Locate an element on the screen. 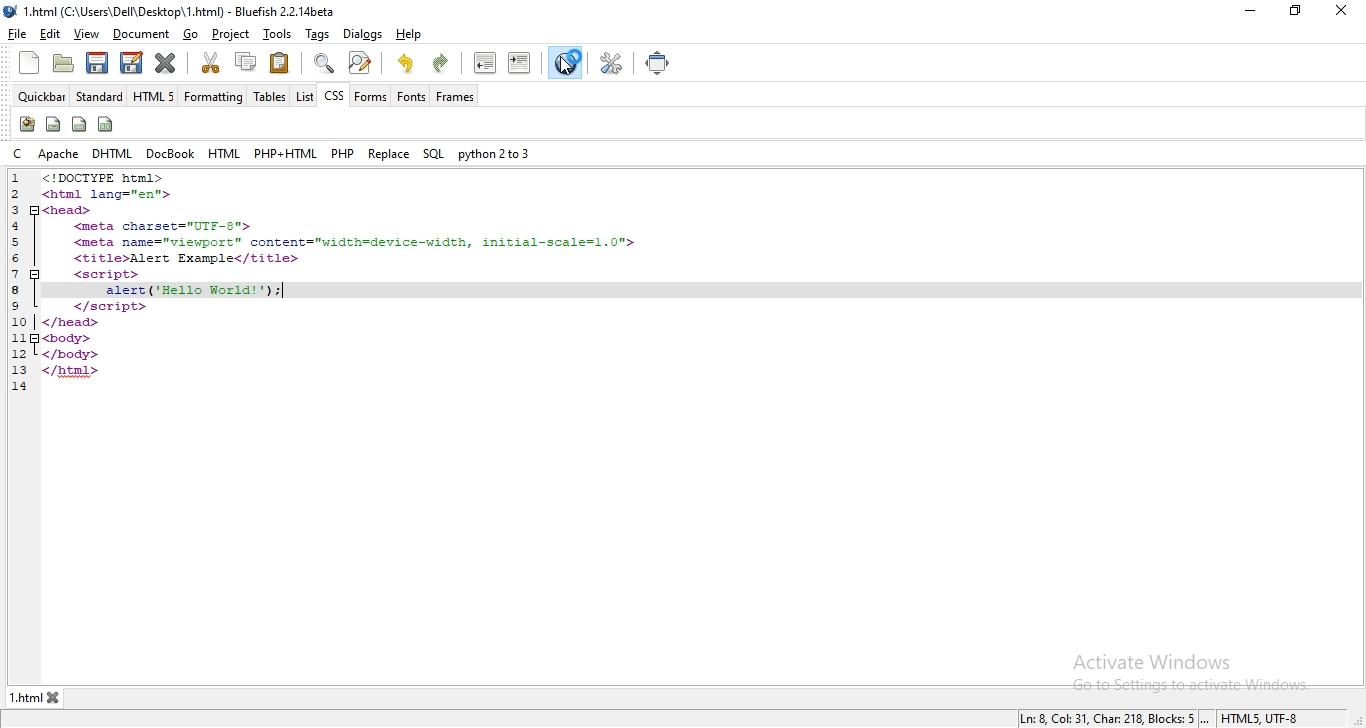  forms is located at coordinates (370, 95).